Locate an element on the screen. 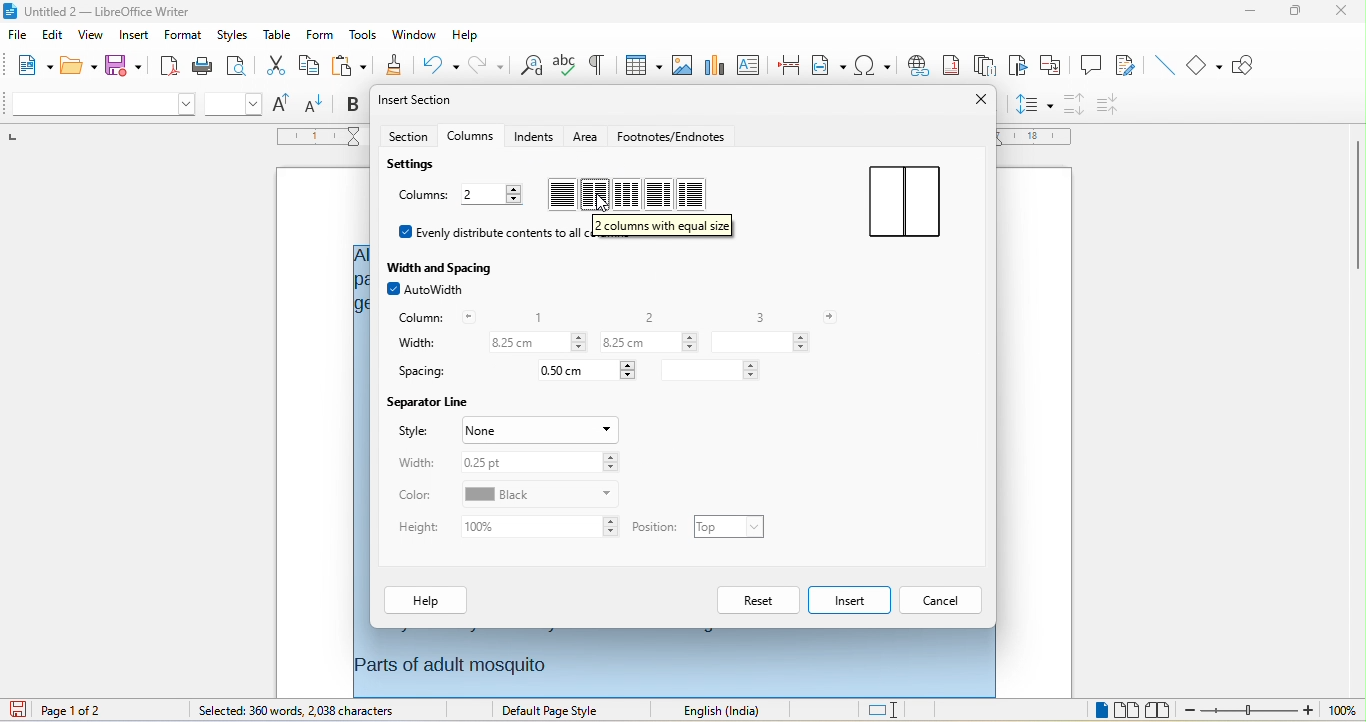 The image size is (1366, 722). table is located at coordinates (641, 64).